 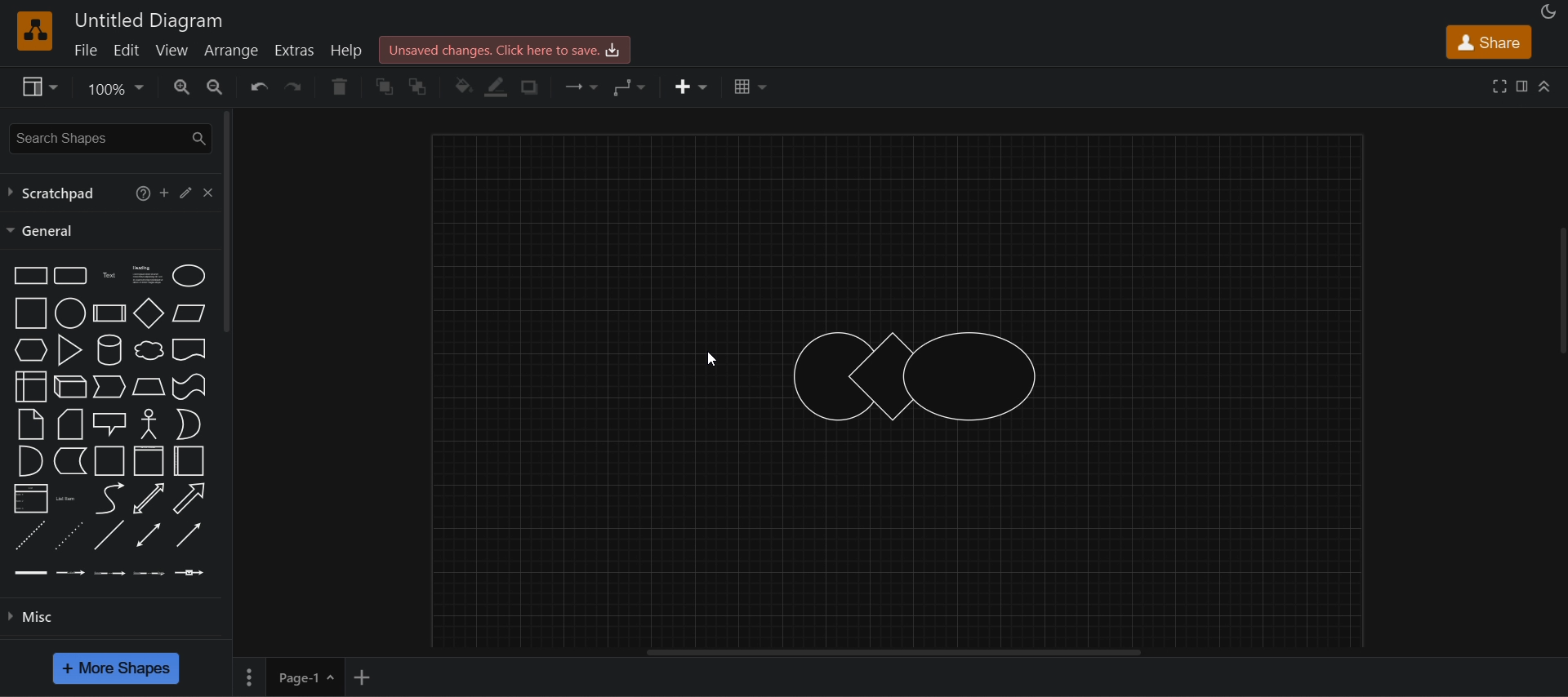 I want to click on internal storage, so click(x=29, y=387).